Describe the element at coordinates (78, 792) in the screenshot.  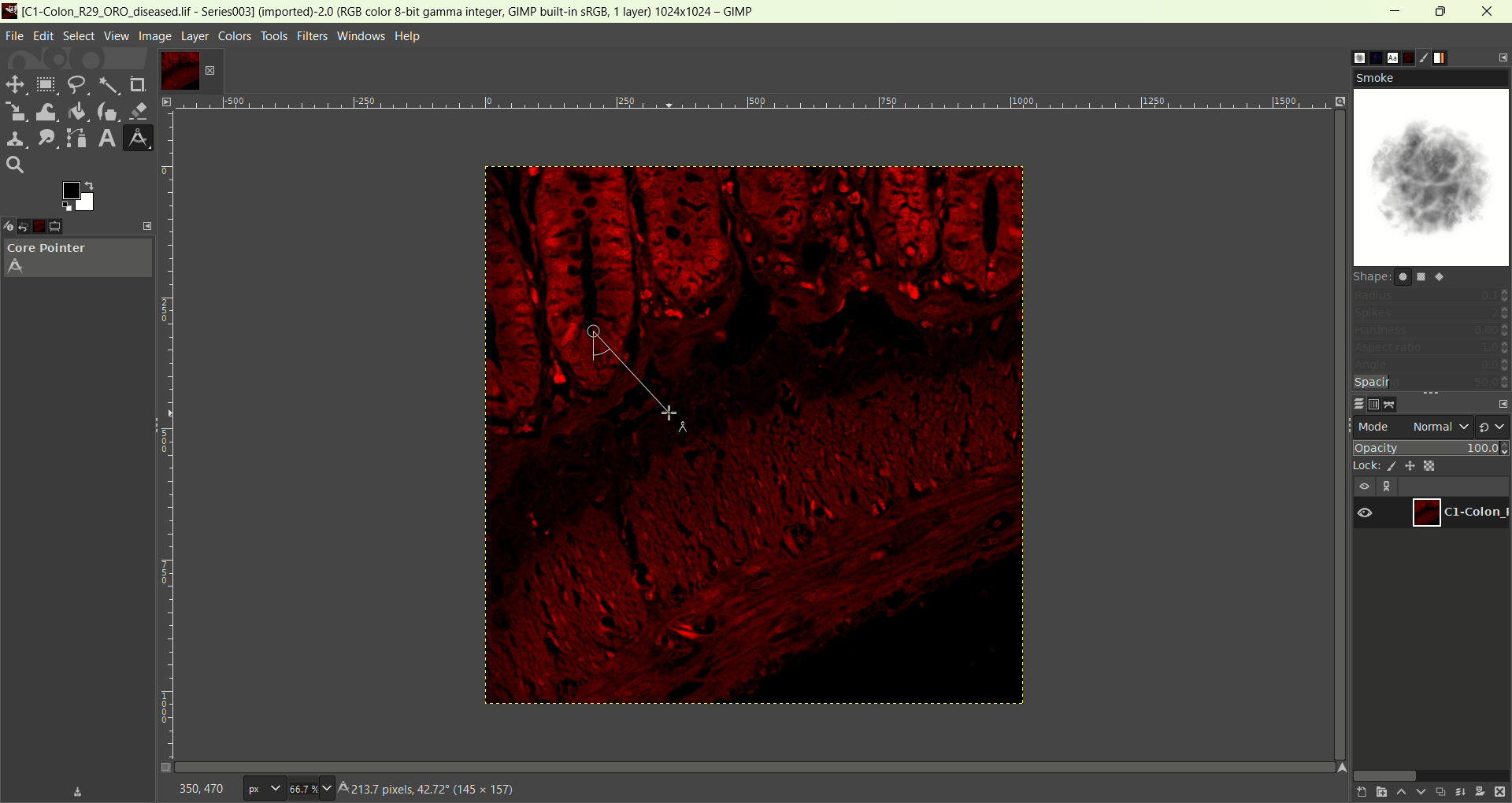
I see `save` at that location.